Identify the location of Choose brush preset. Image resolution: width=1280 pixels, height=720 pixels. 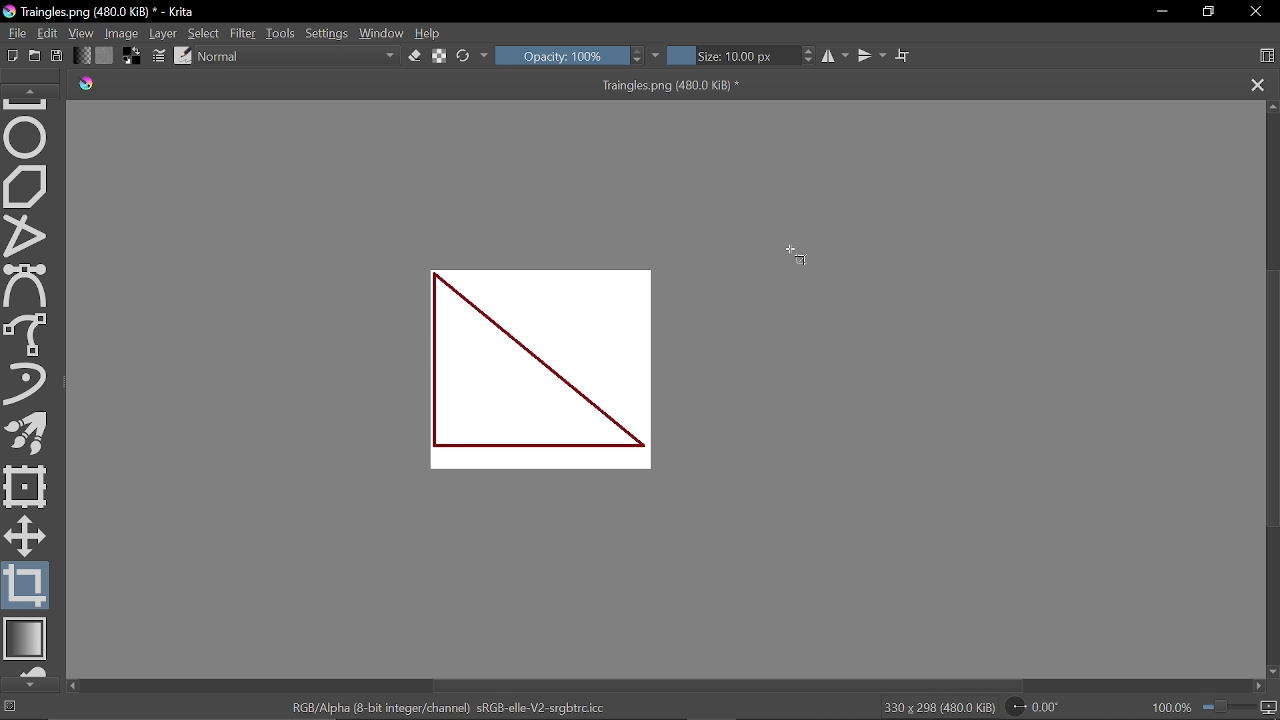
(182, 56).